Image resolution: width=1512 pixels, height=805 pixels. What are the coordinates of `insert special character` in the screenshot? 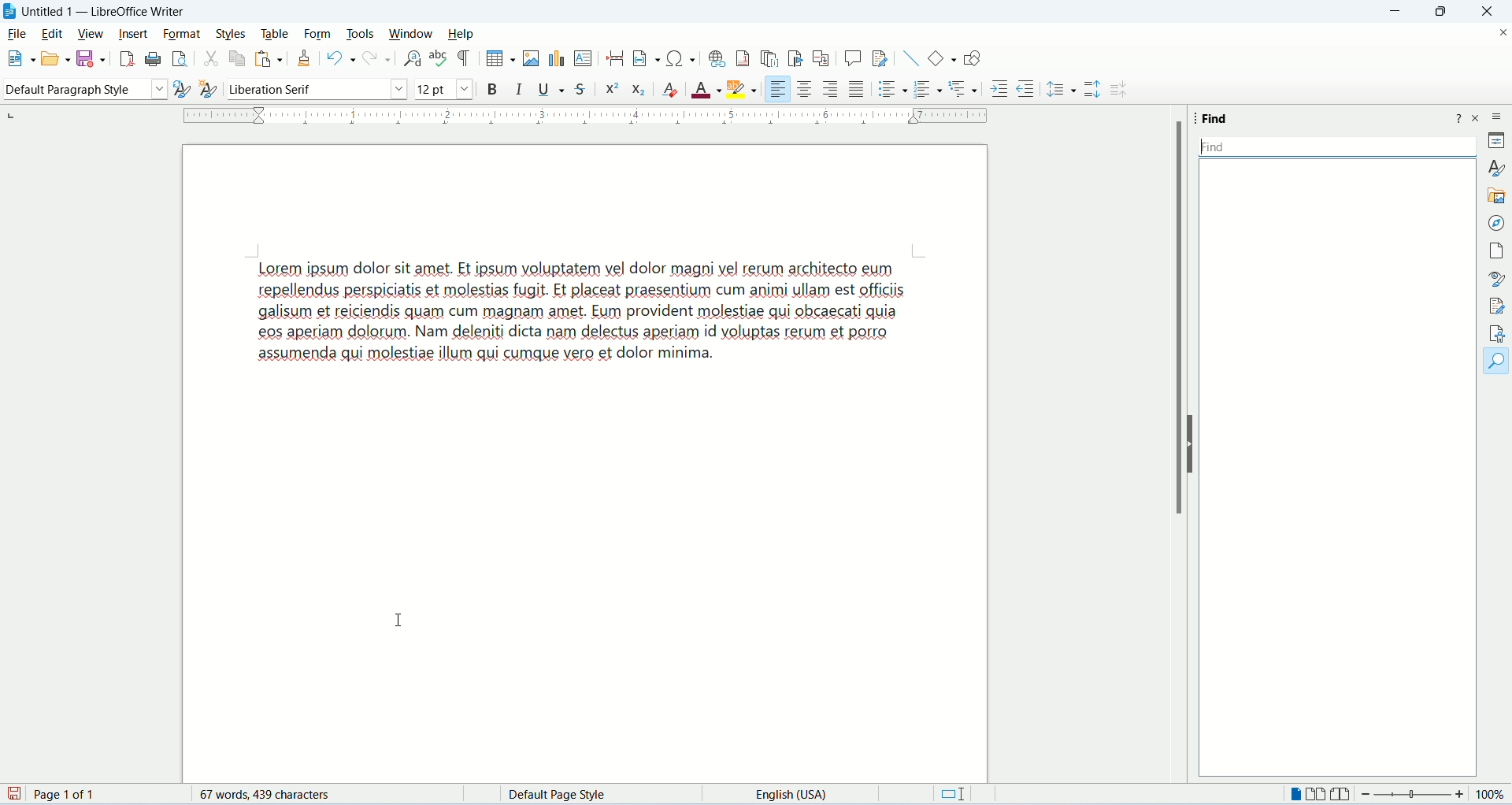 It's located at (675, 58).